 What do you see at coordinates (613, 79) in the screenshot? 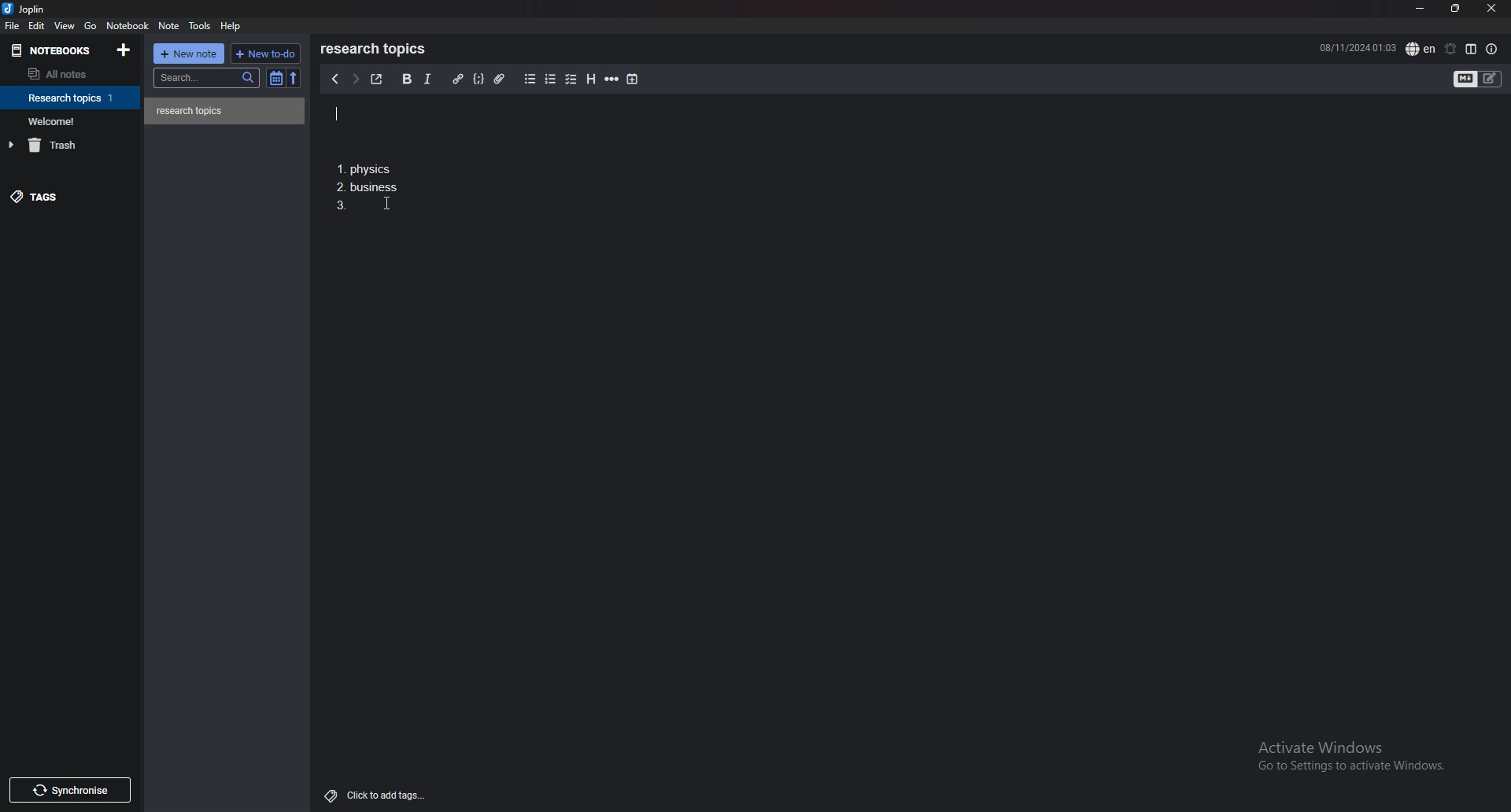
I see `horizontal rule` at bounding box center [613, 79].